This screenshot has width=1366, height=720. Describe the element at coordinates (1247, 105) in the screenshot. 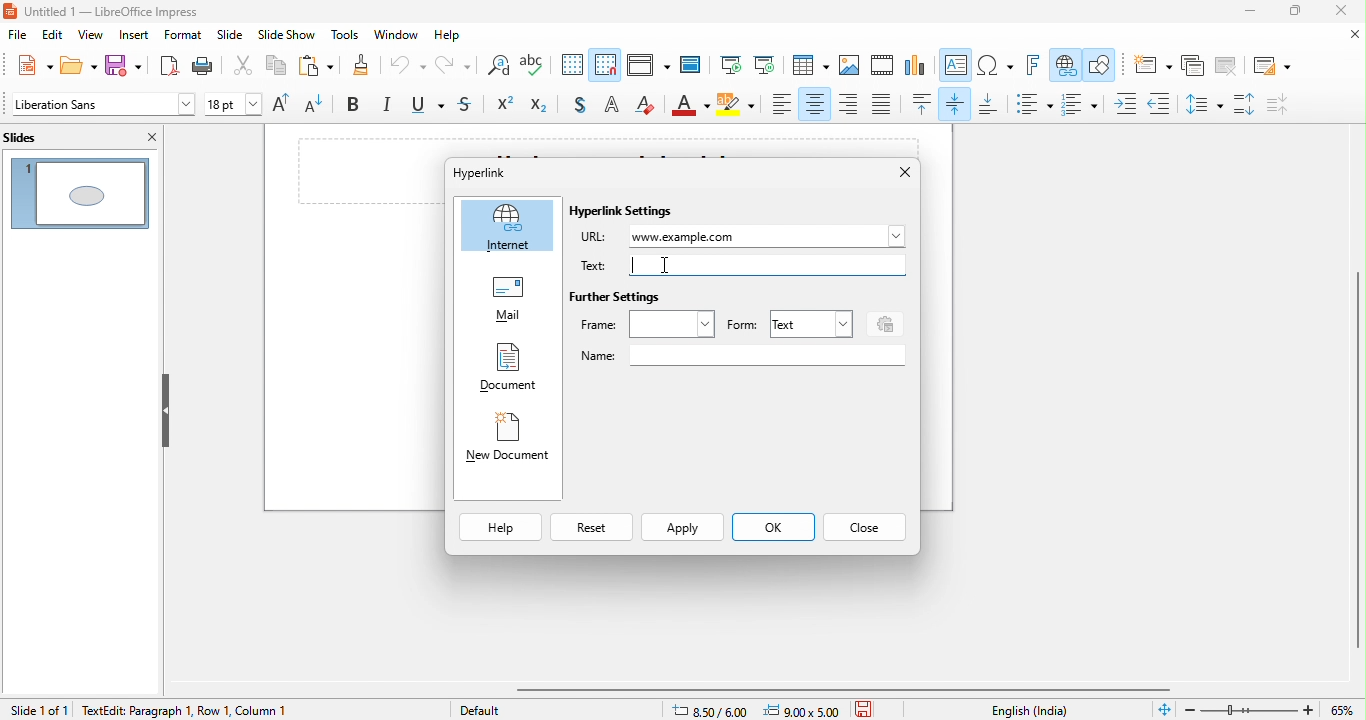

I see `increase paragraph spacing` at that location.